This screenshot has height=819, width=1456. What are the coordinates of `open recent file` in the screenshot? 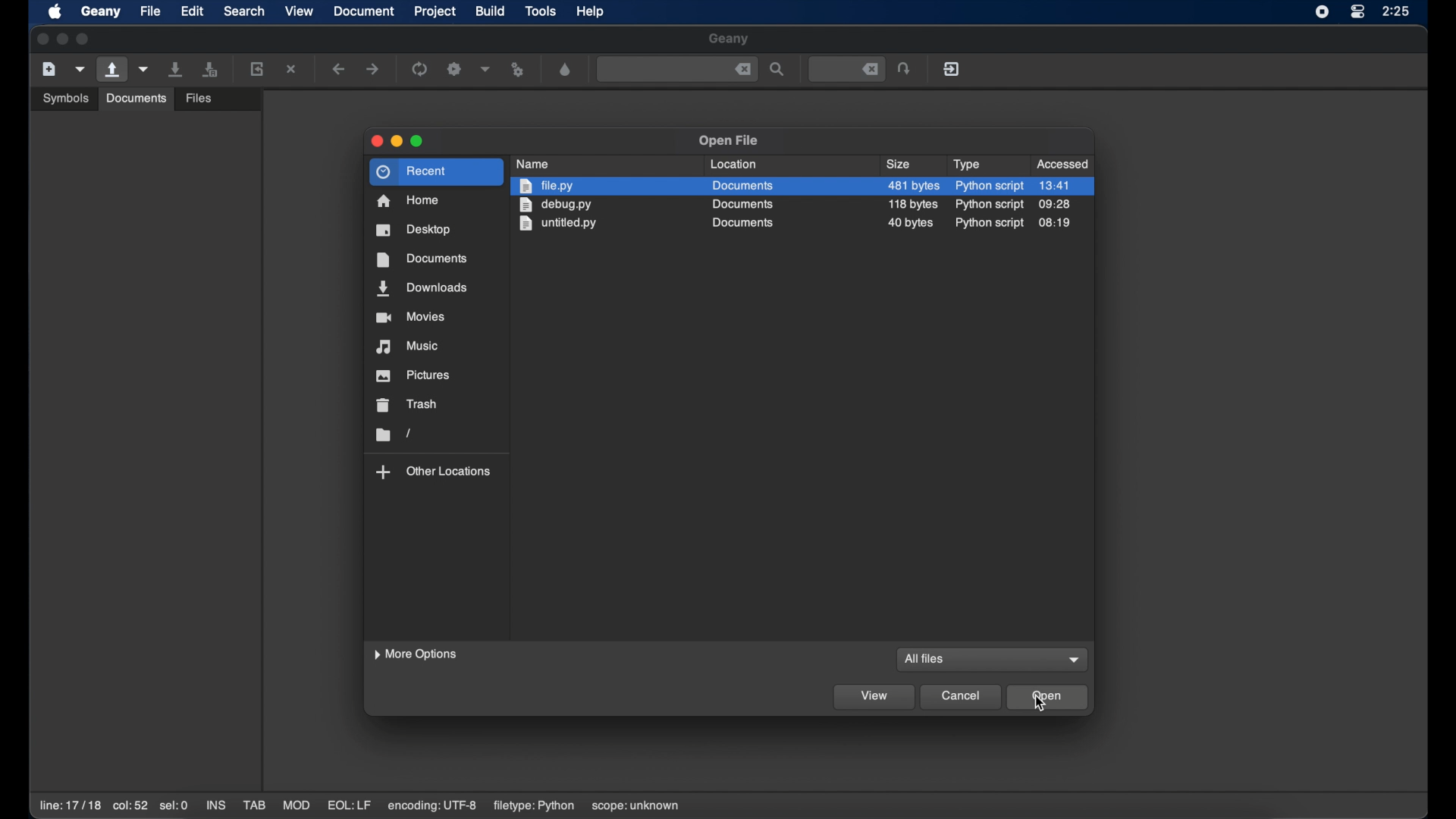 It's located at (145, 70).